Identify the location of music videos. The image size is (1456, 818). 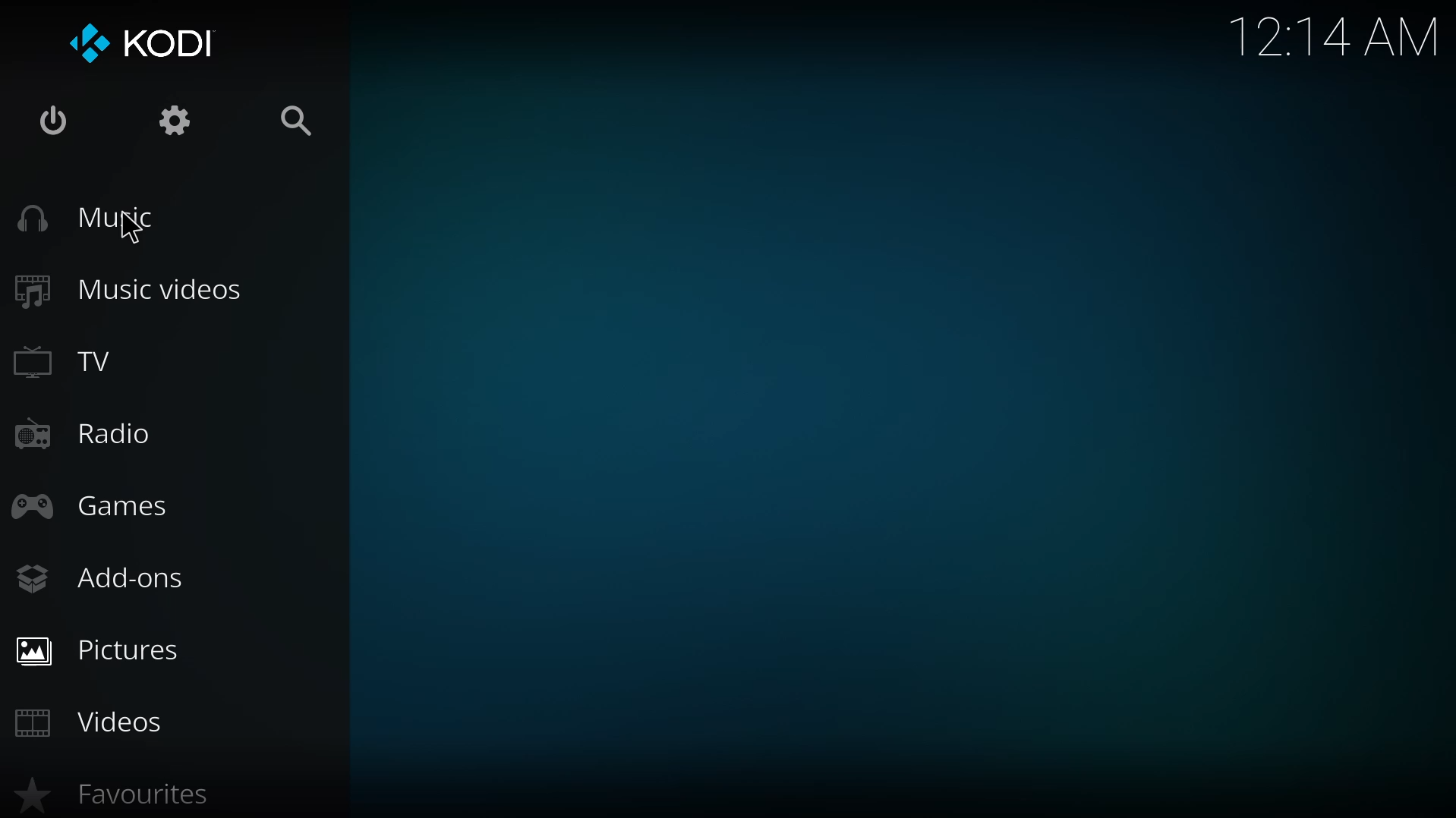
(129, 286).